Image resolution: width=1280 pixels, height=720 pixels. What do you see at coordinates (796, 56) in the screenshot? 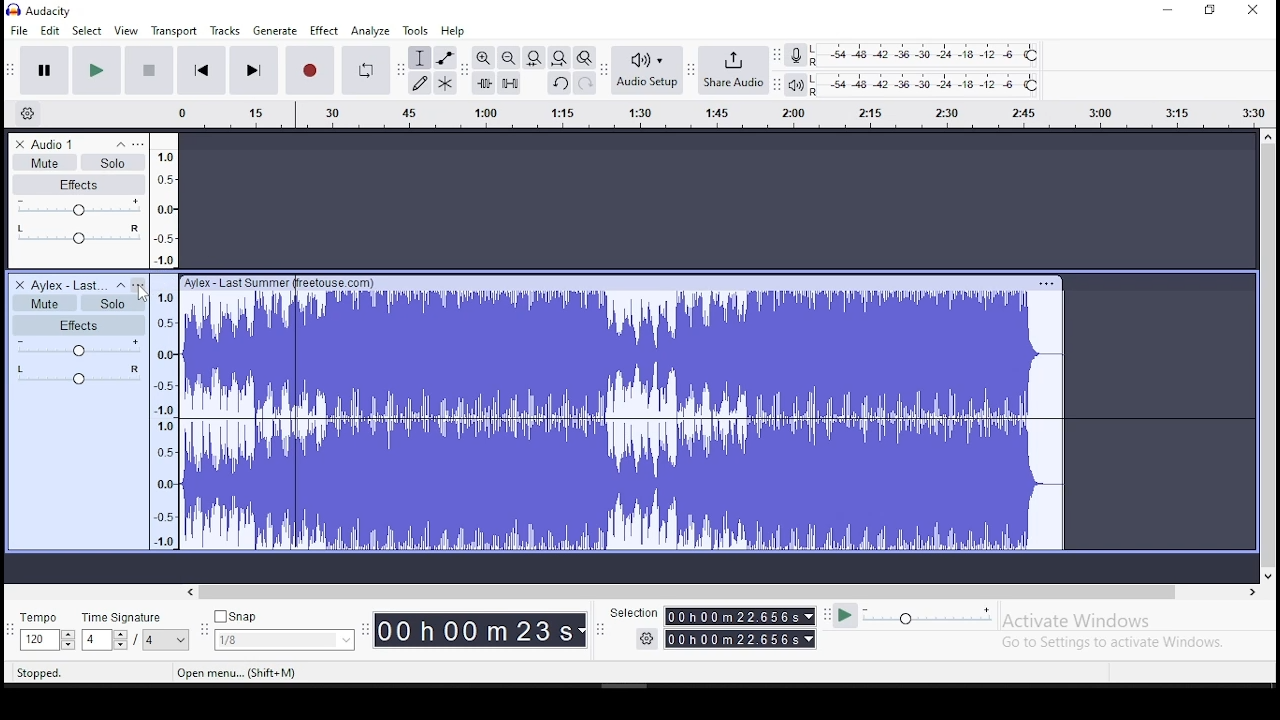
I see `record meter` at bounding box center [796, 56].